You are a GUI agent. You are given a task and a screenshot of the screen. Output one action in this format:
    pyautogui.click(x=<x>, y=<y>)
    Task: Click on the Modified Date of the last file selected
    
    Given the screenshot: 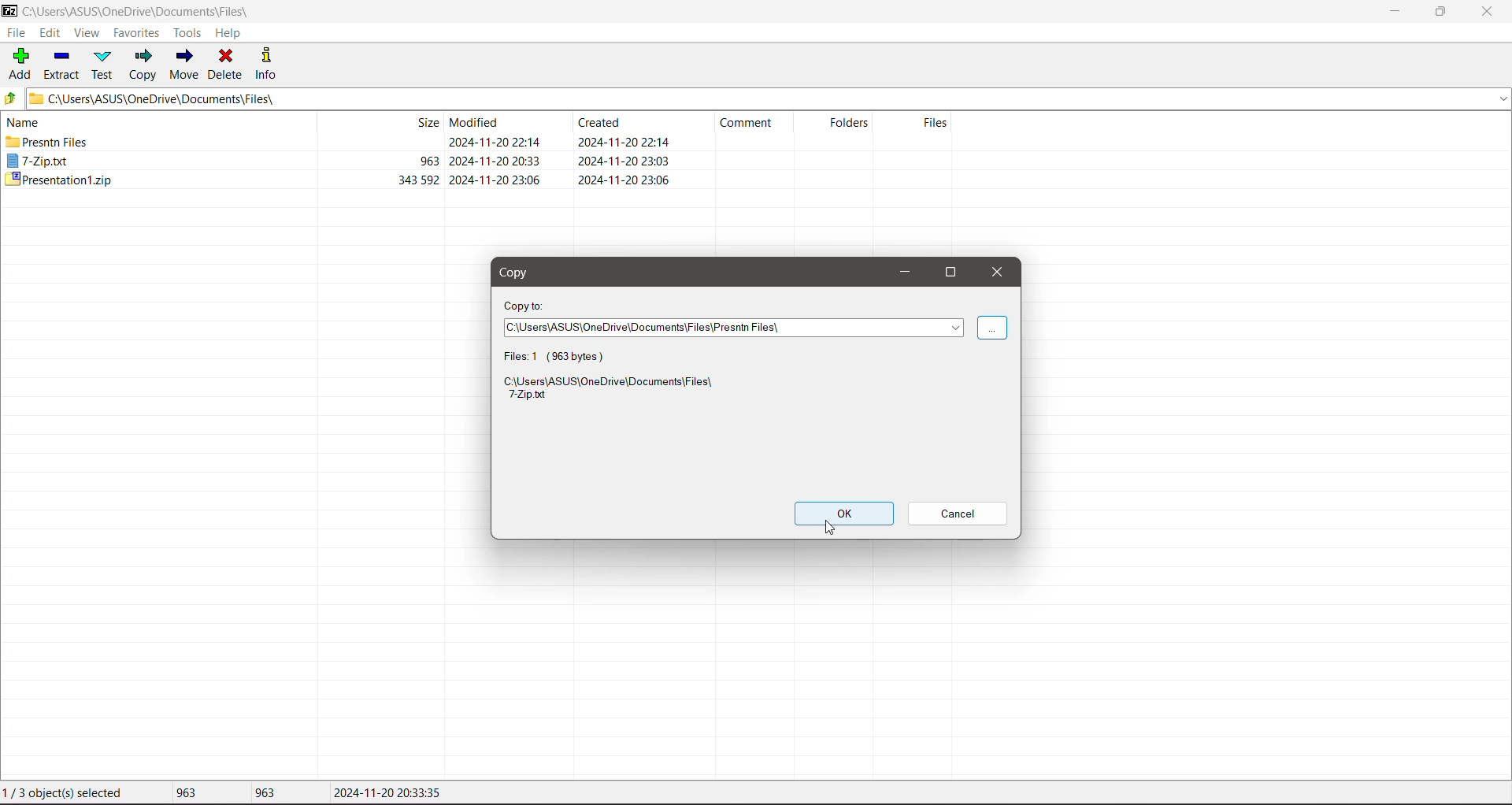 What is the action you would take?
    pyautogui.click(x=387, y=793)
    